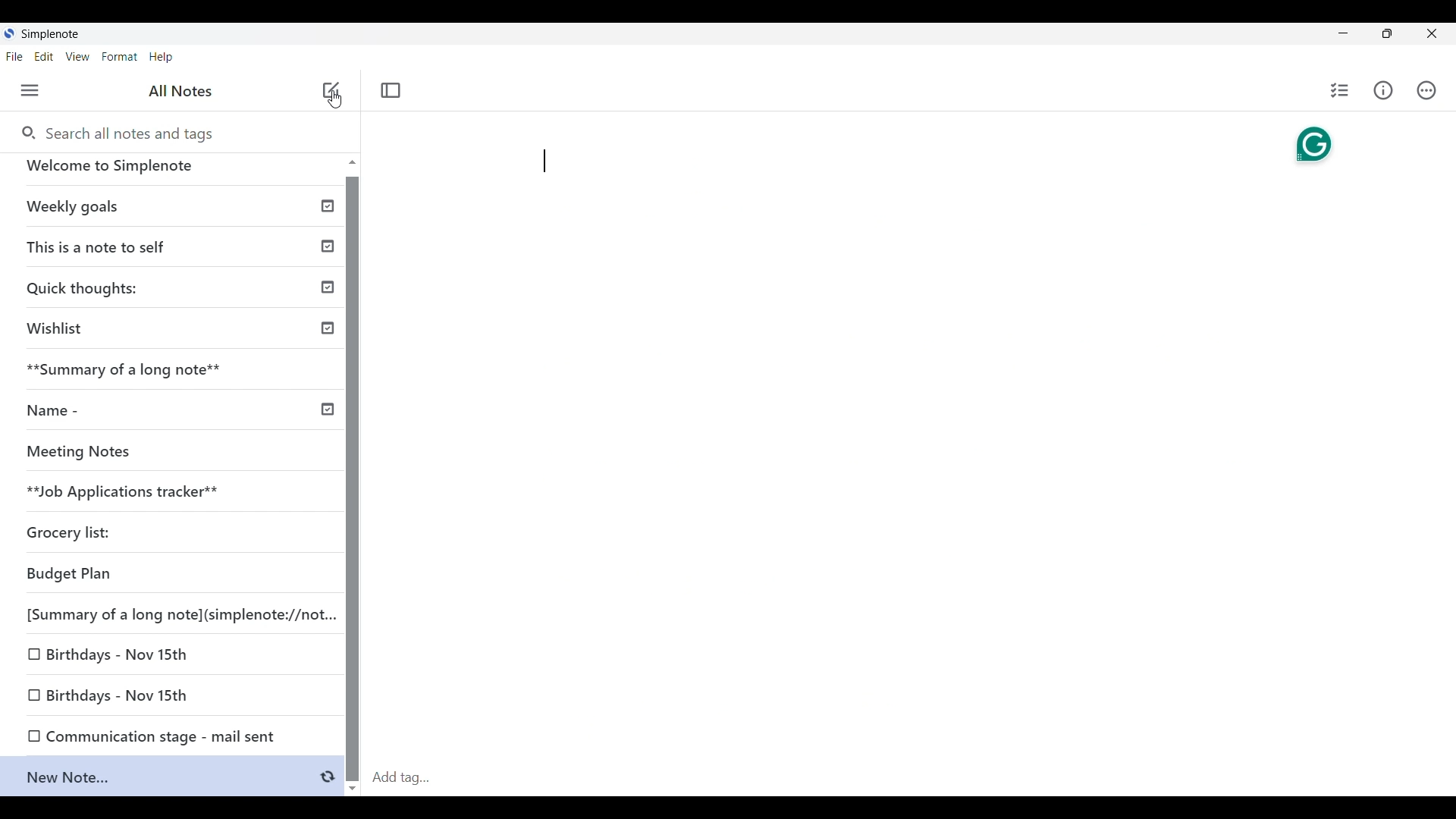  What do you see at coordinates (173, 172) in the screenshot?
I see `Welcome note from software, current highlighted note` at bounding box center [173, 172].